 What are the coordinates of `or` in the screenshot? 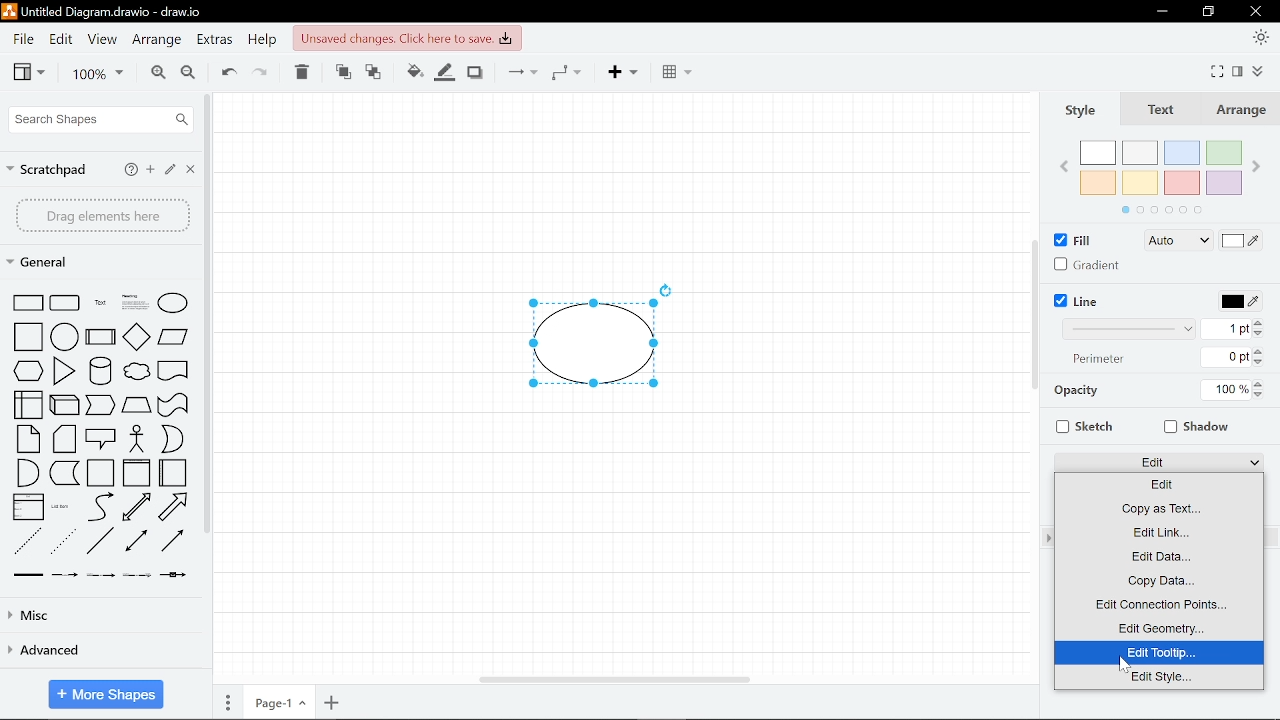 It's located at (172, 438).